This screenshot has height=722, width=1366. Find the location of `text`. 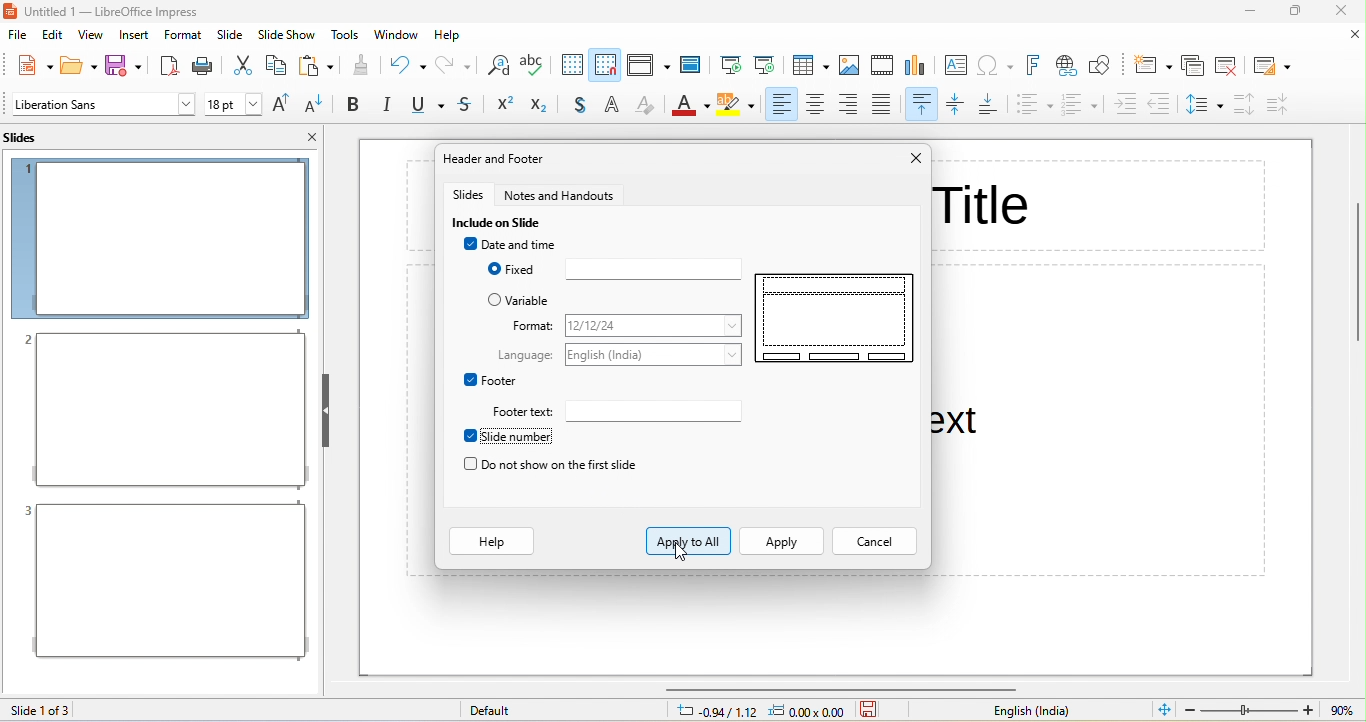

text is located at coordinates (525, 411).